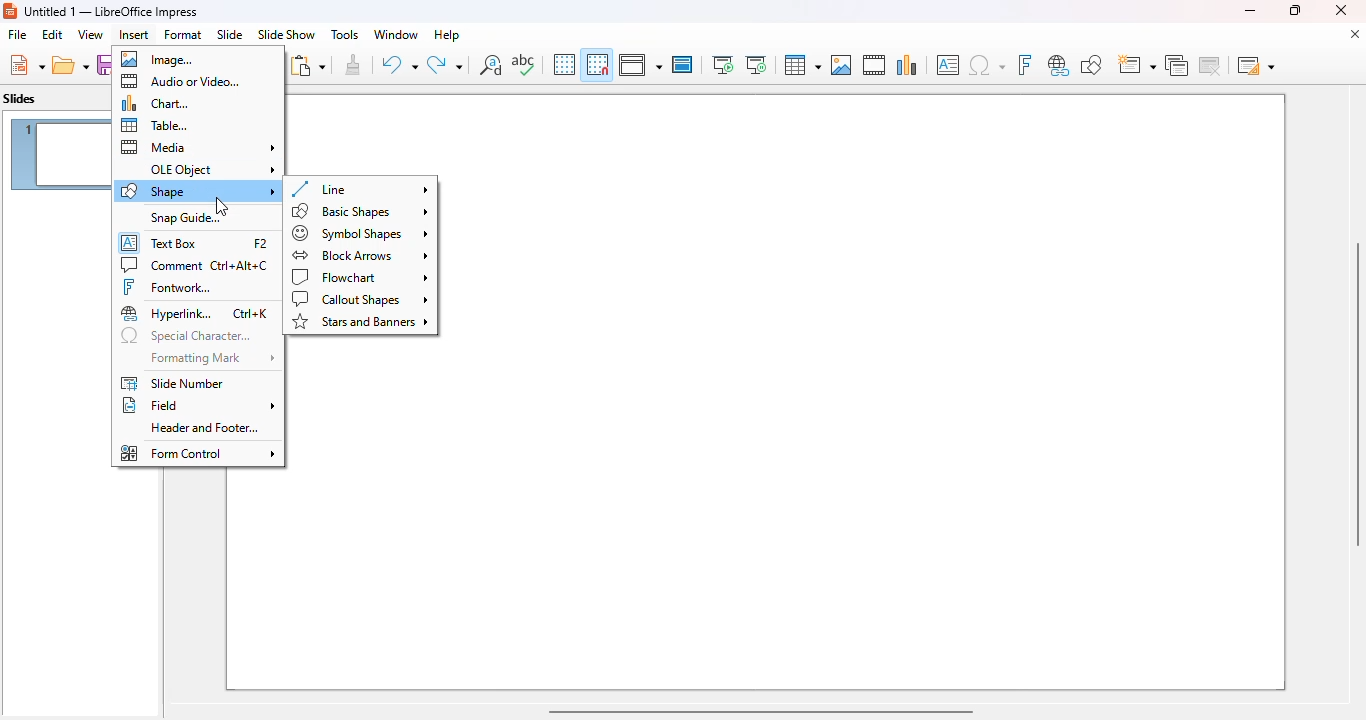 The width and height of the screenshot is (1366, 720). Describe the element at coordinates (640, 65) in the screenshot. I see `display views` at that location.